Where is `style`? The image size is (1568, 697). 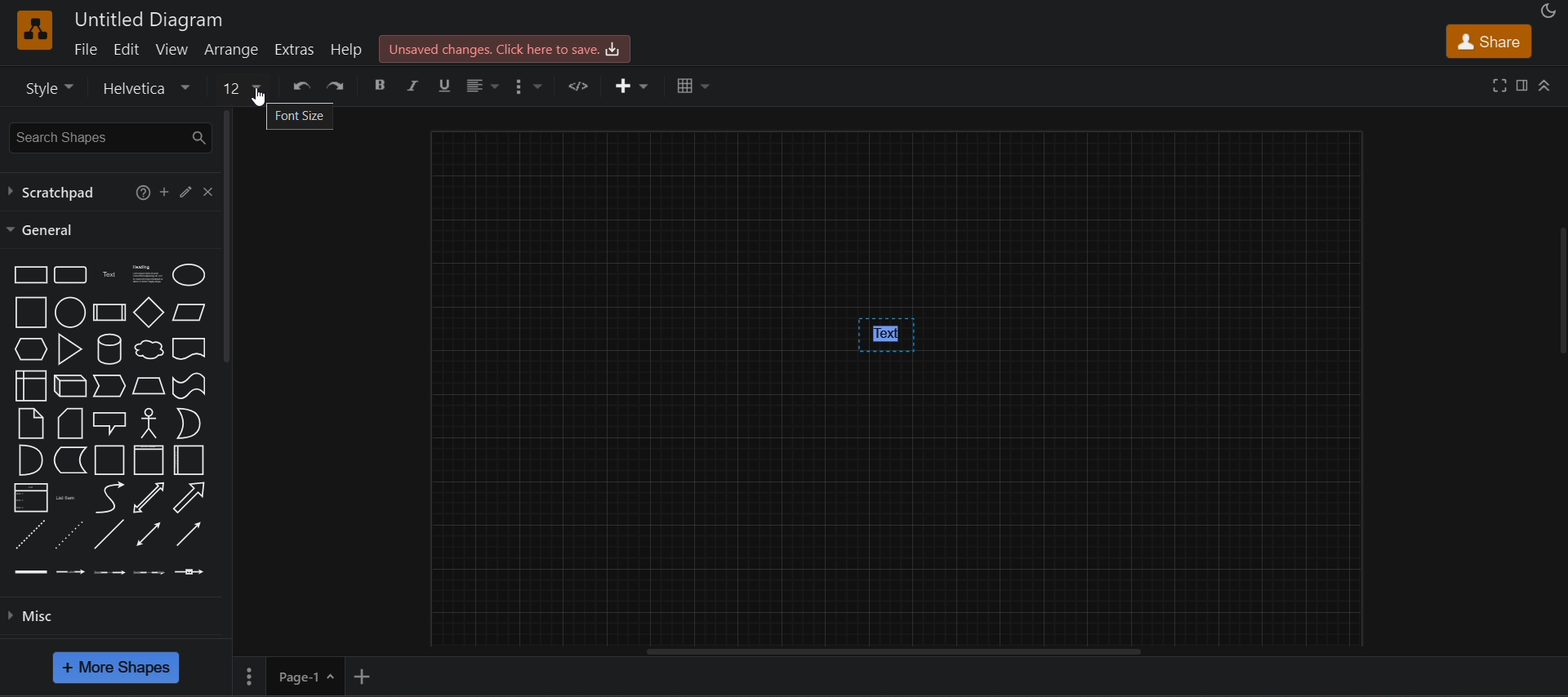 style is located at coordinates (47, 87).